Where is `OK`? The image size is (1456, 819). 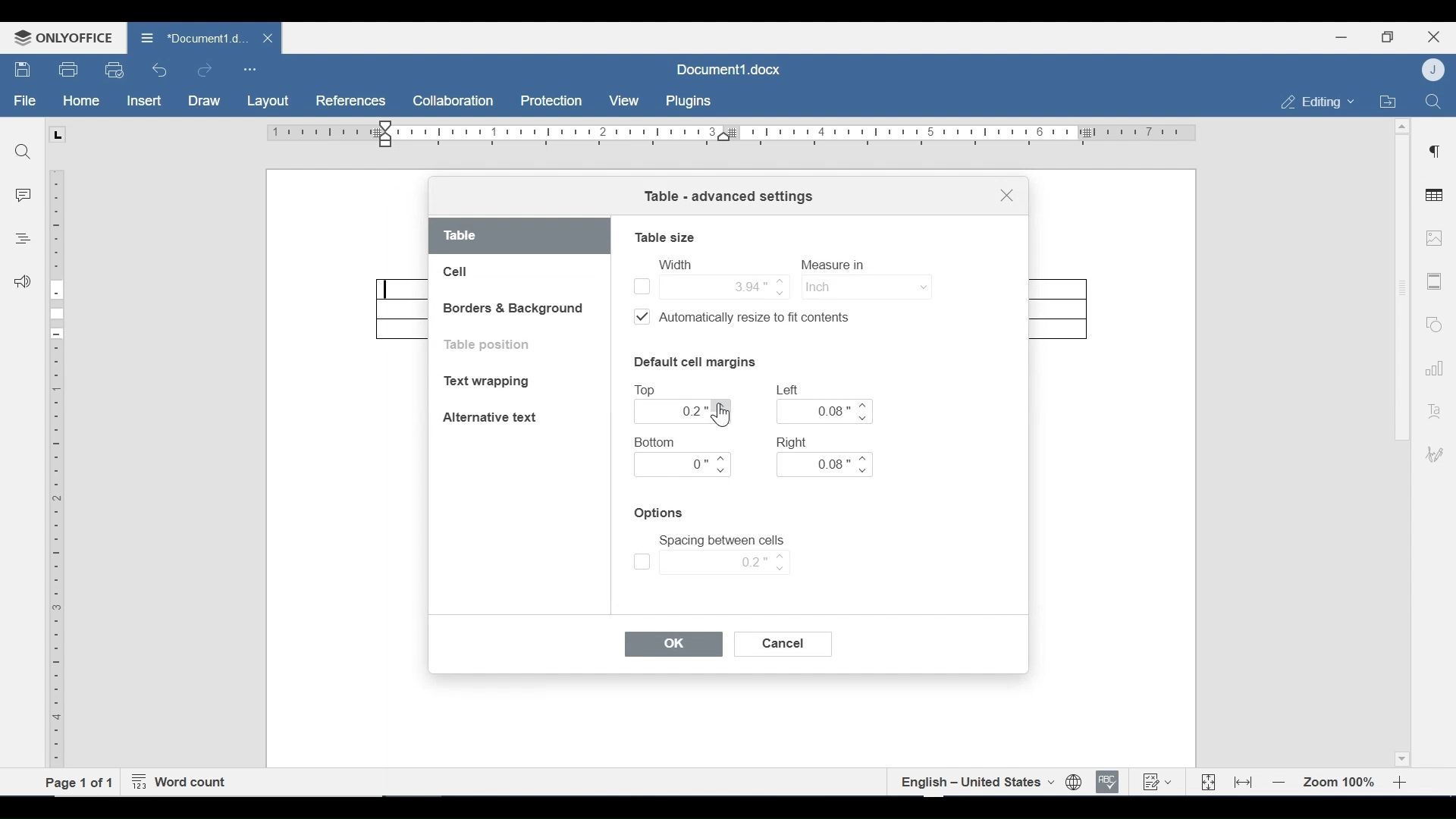
OK is located at coordinates (674, 645).